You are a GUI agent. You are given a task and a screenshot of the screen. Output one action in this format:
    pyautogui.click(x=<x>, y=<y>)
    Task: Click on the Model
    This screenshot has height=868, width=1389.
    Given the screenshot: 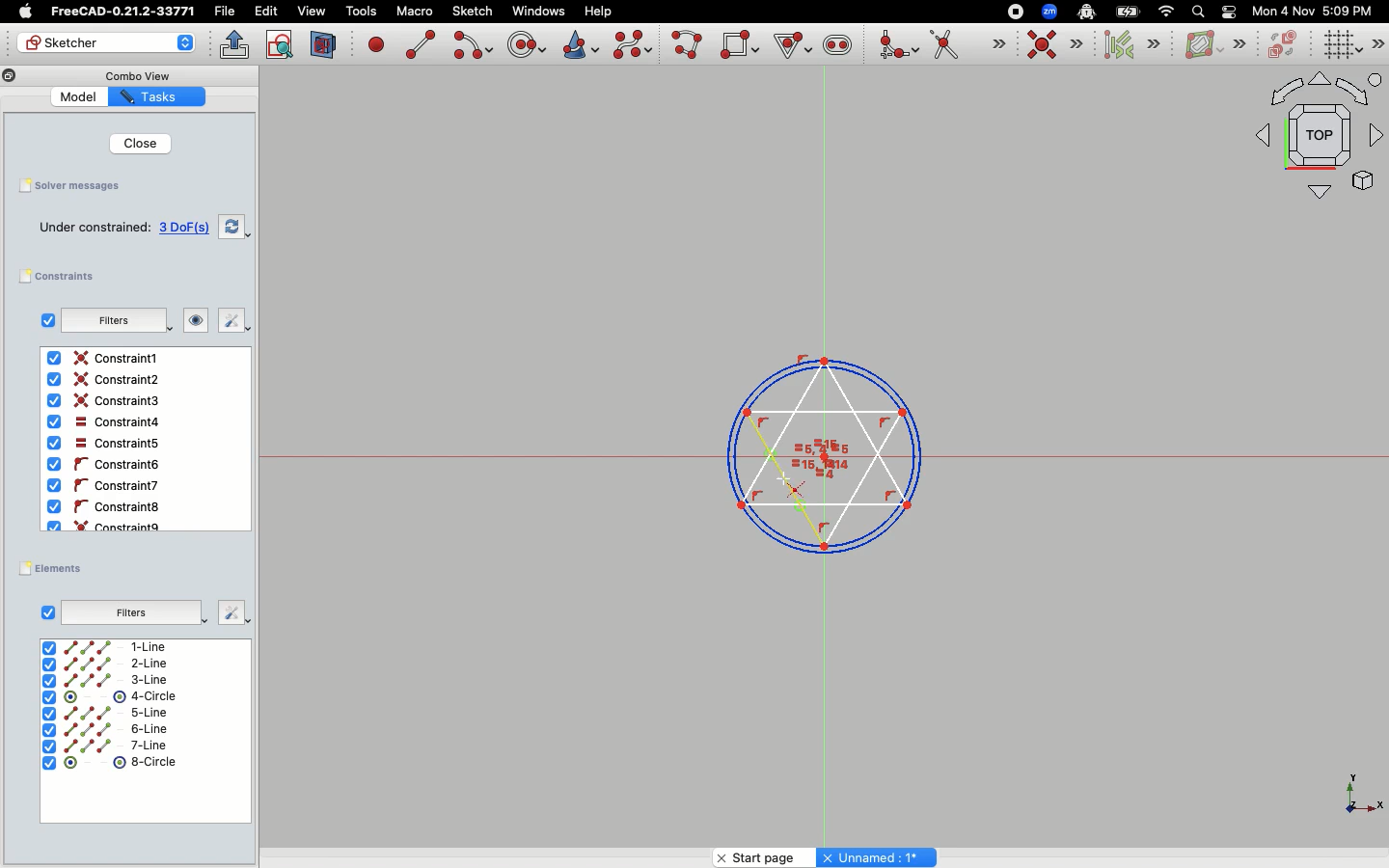 What is the action you would take?
    pyautogui.click(x=81, y=98)
    